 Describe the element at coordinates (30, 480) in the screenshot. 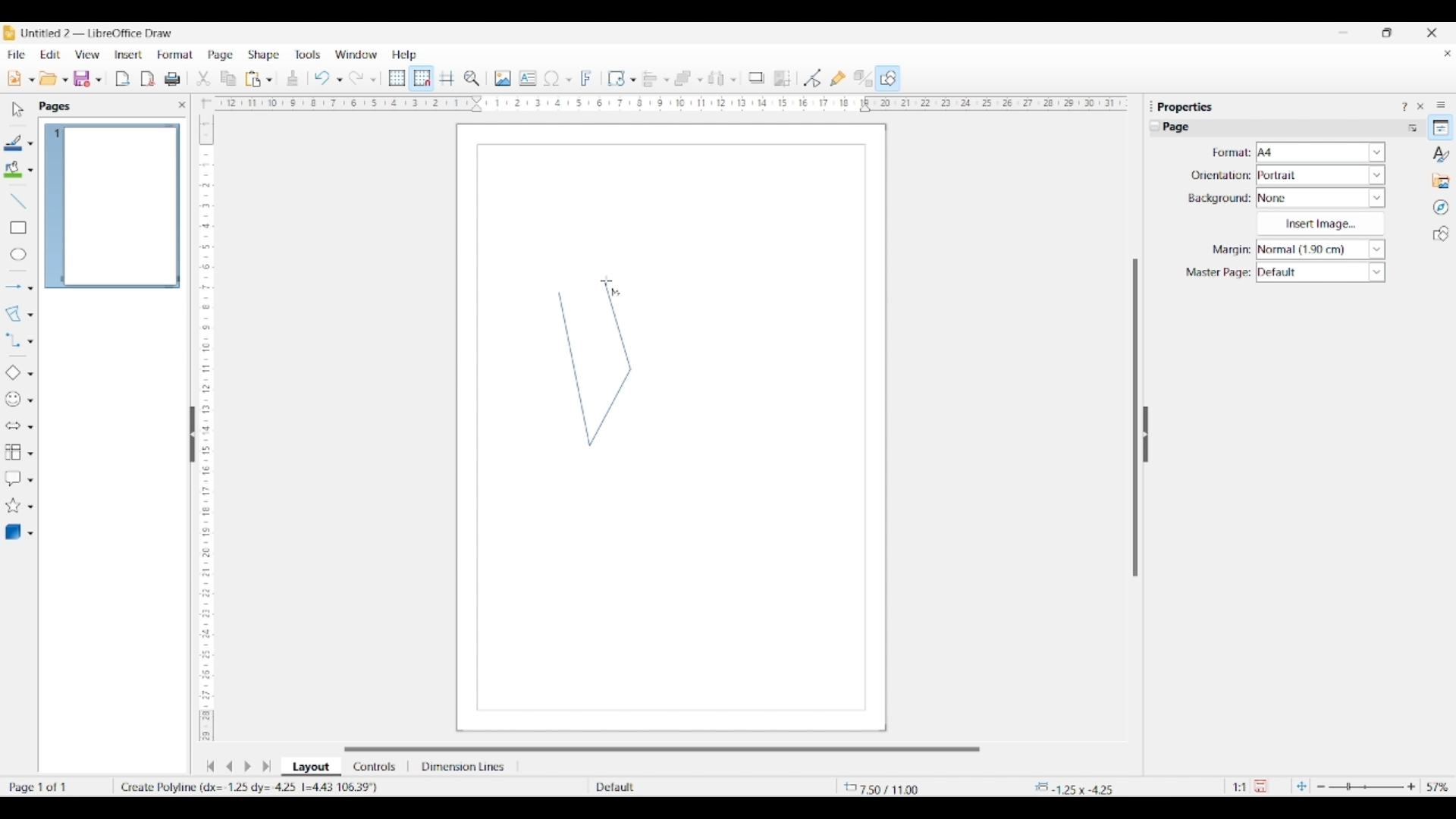

I see `Callout shape options` at that location.